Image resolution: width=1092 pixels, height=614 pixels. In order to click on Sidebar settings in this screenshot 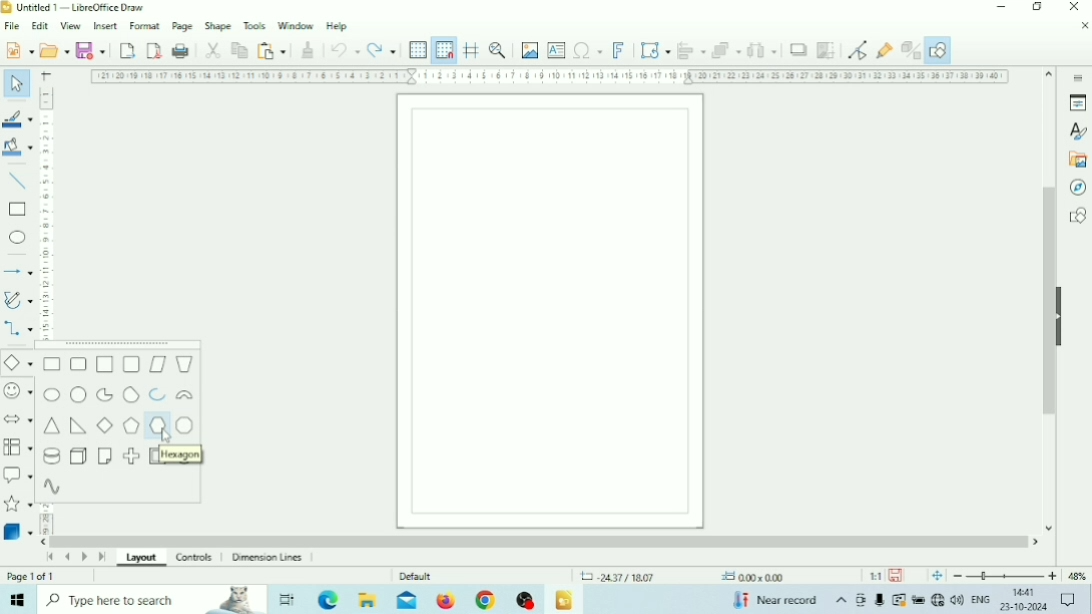, I will do `click(1077, 76)`.